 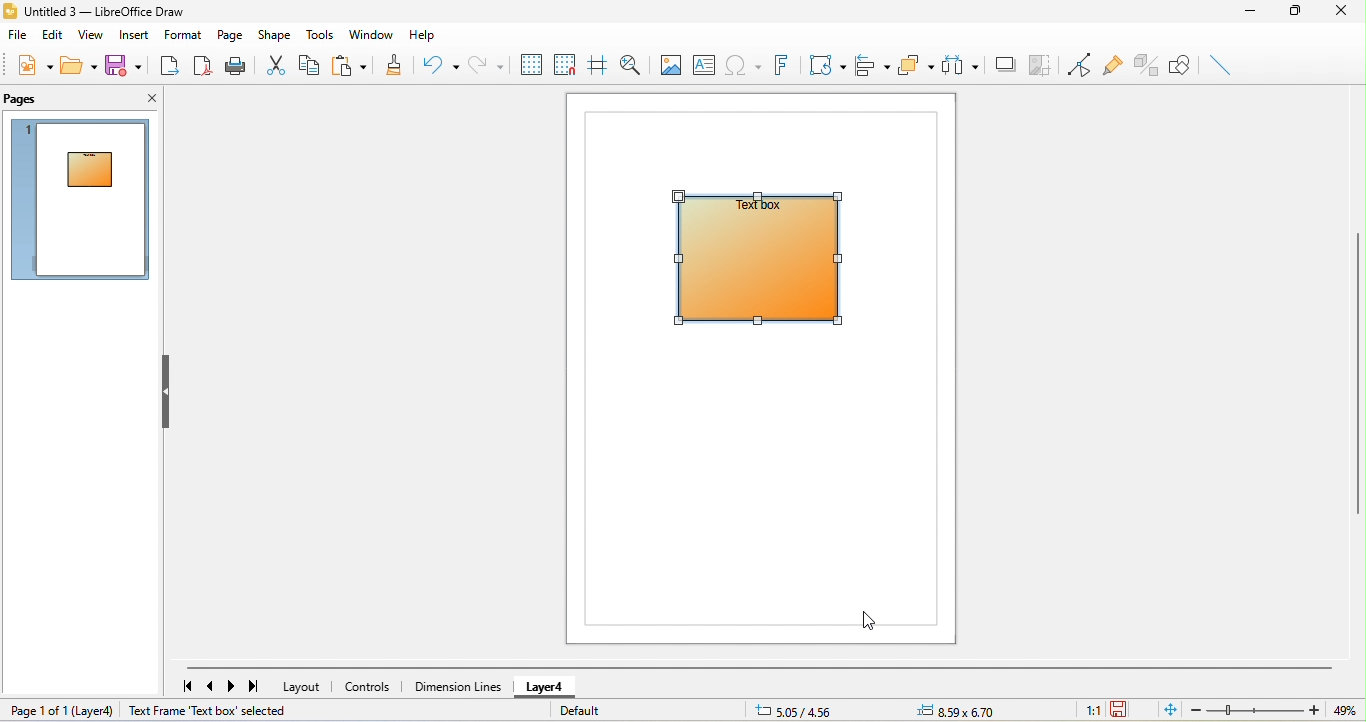 I want to click on text box, so click(x=706, y=65).